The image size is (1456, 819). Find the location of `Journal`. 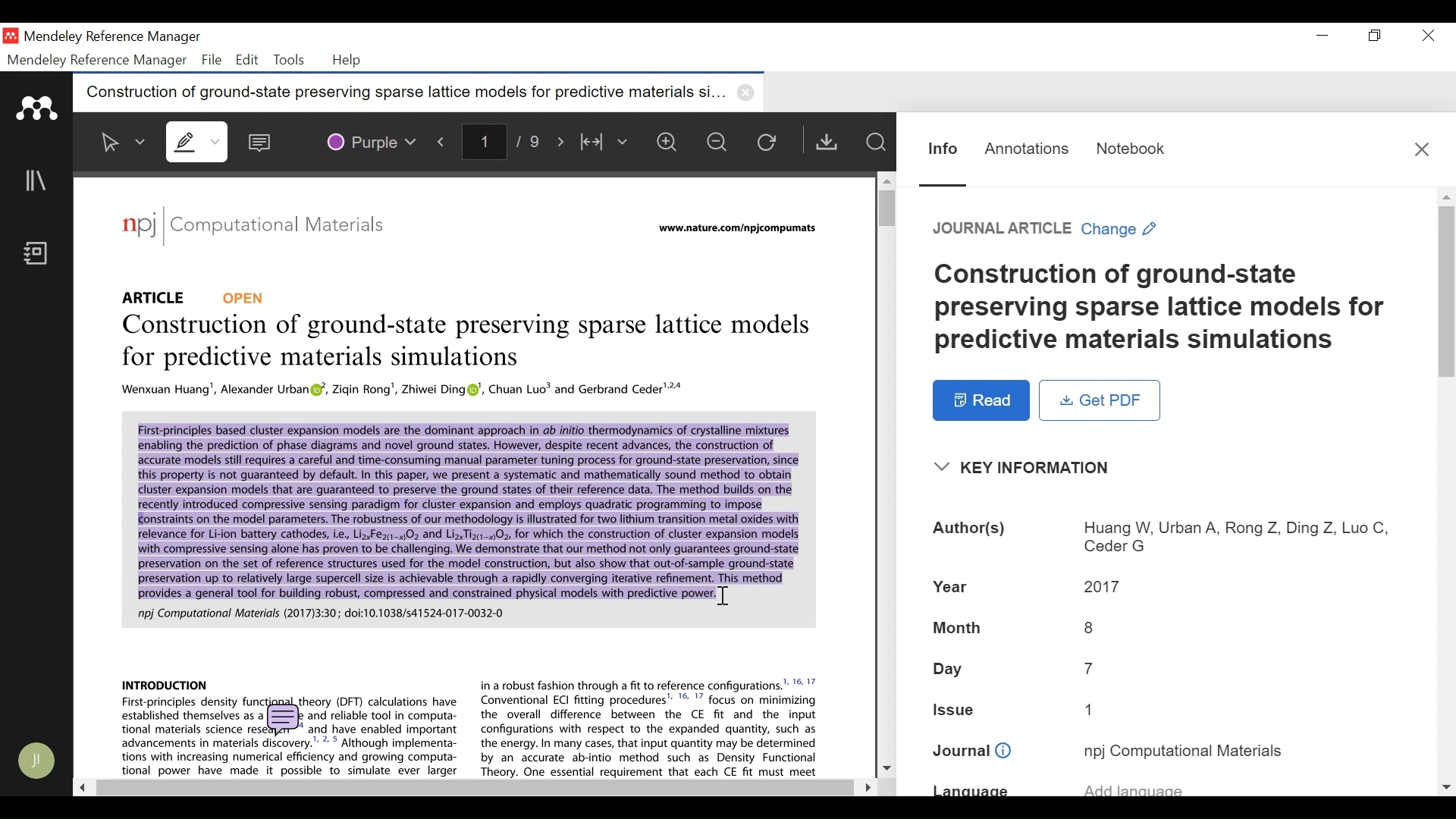

Journal is located at coordinates (972, 752).